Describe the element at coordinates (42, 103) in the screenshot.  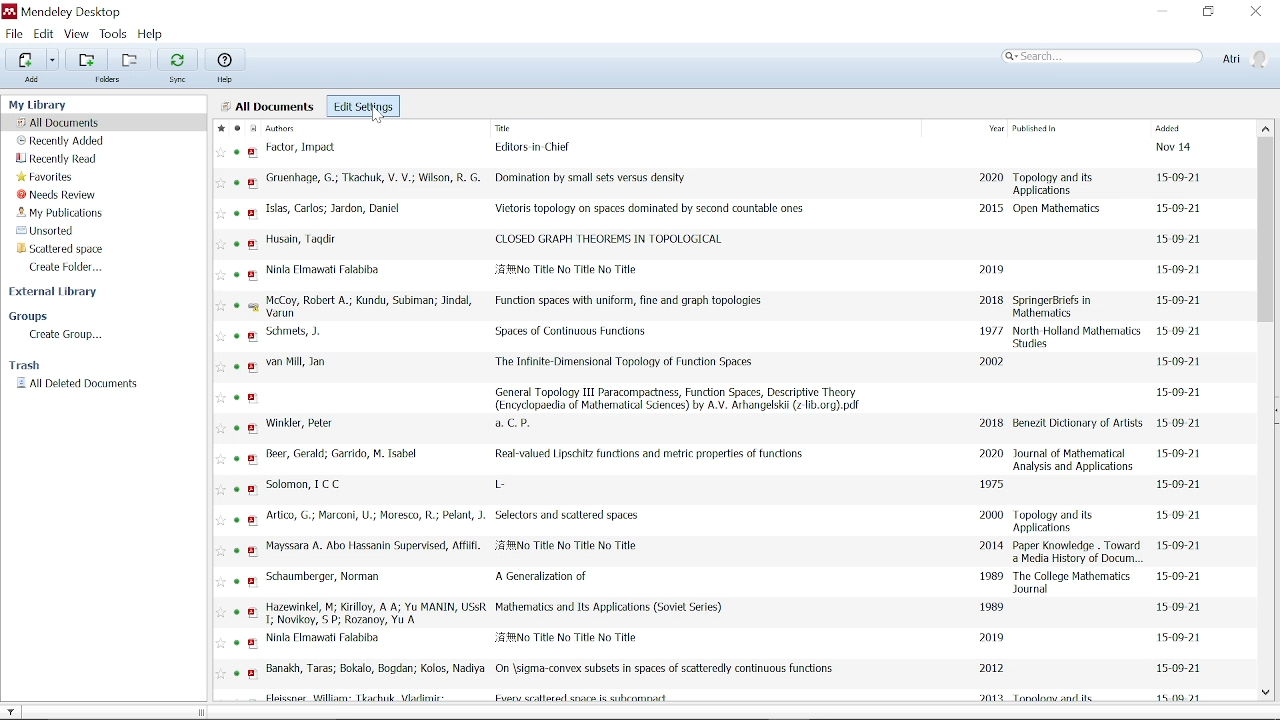
I see `My library` at that location.